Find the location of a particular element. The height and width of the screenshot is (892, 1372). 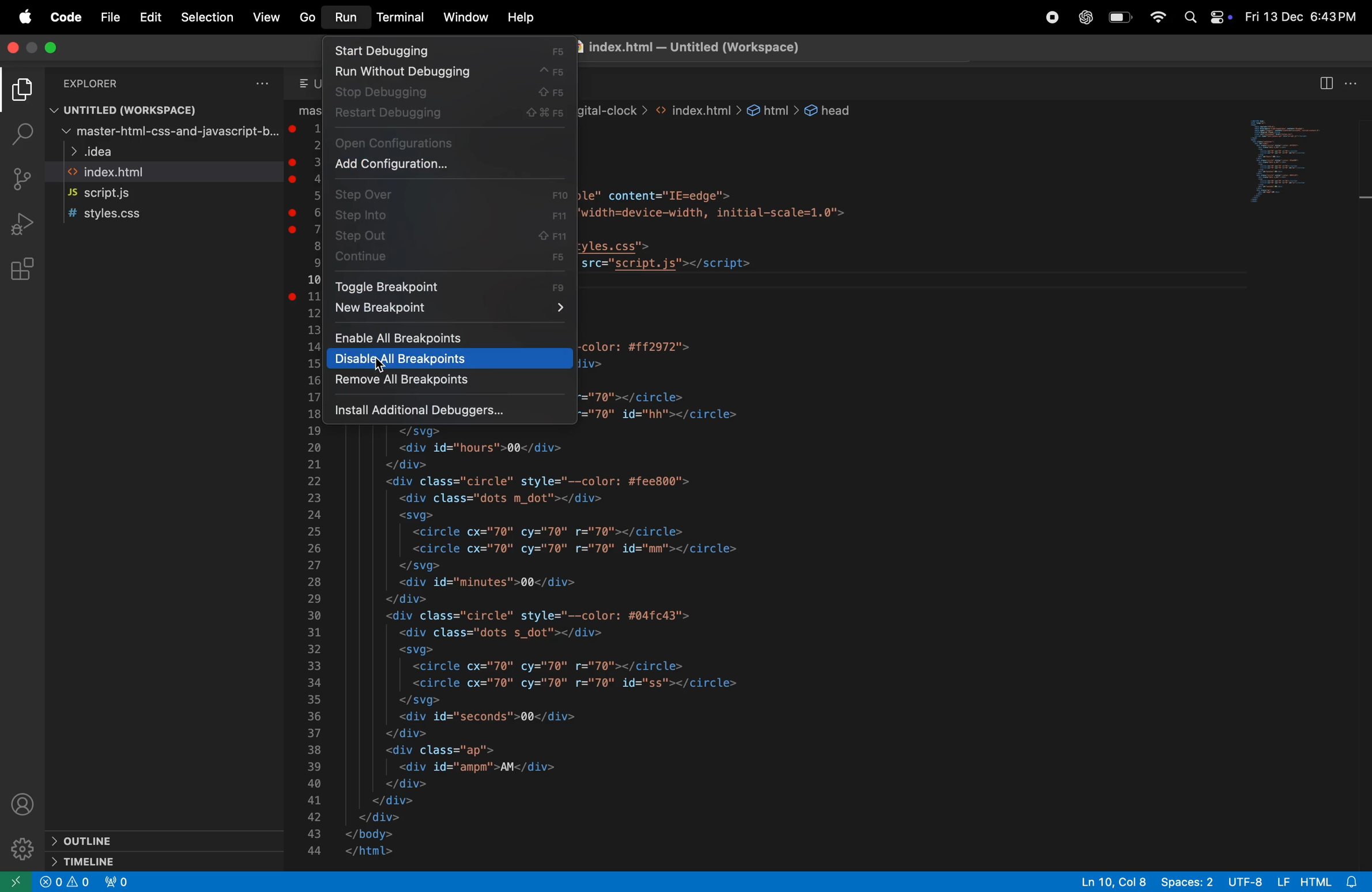

contribute is located at coordinates (451, 259).